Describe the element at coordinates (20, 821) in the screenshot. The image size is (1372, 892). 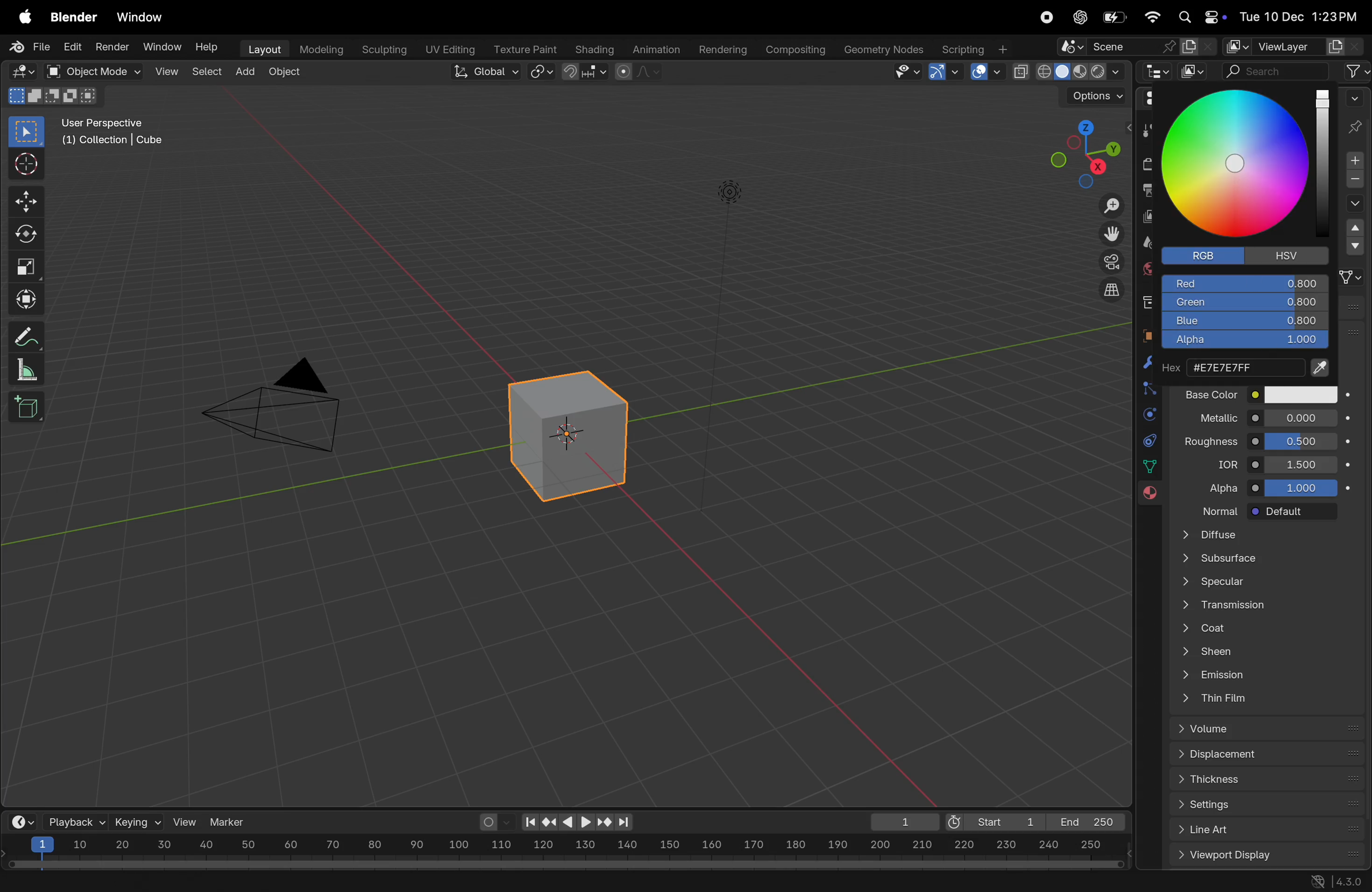
I see `time` at that location.